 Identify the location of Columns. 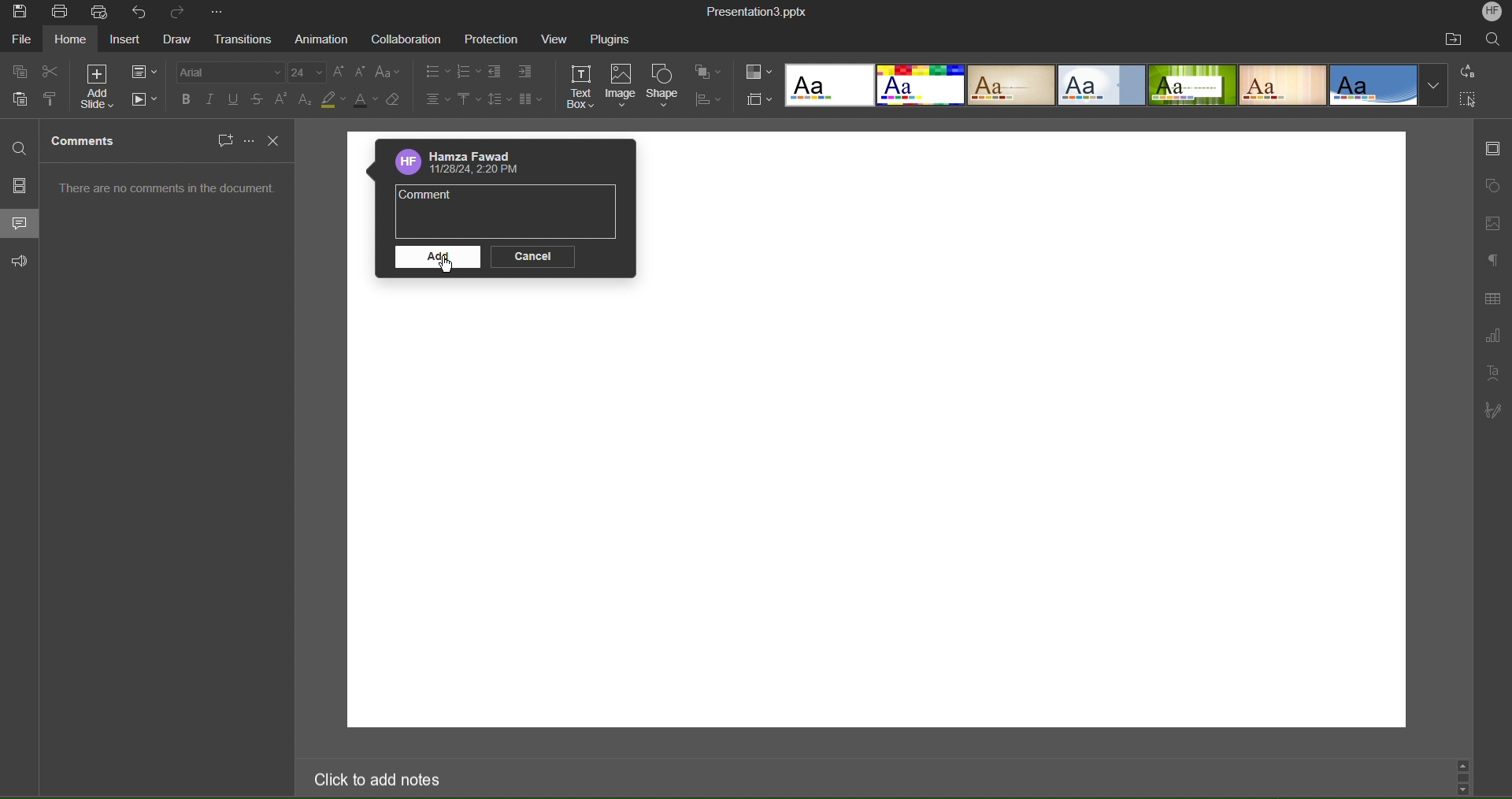
(532, 101).